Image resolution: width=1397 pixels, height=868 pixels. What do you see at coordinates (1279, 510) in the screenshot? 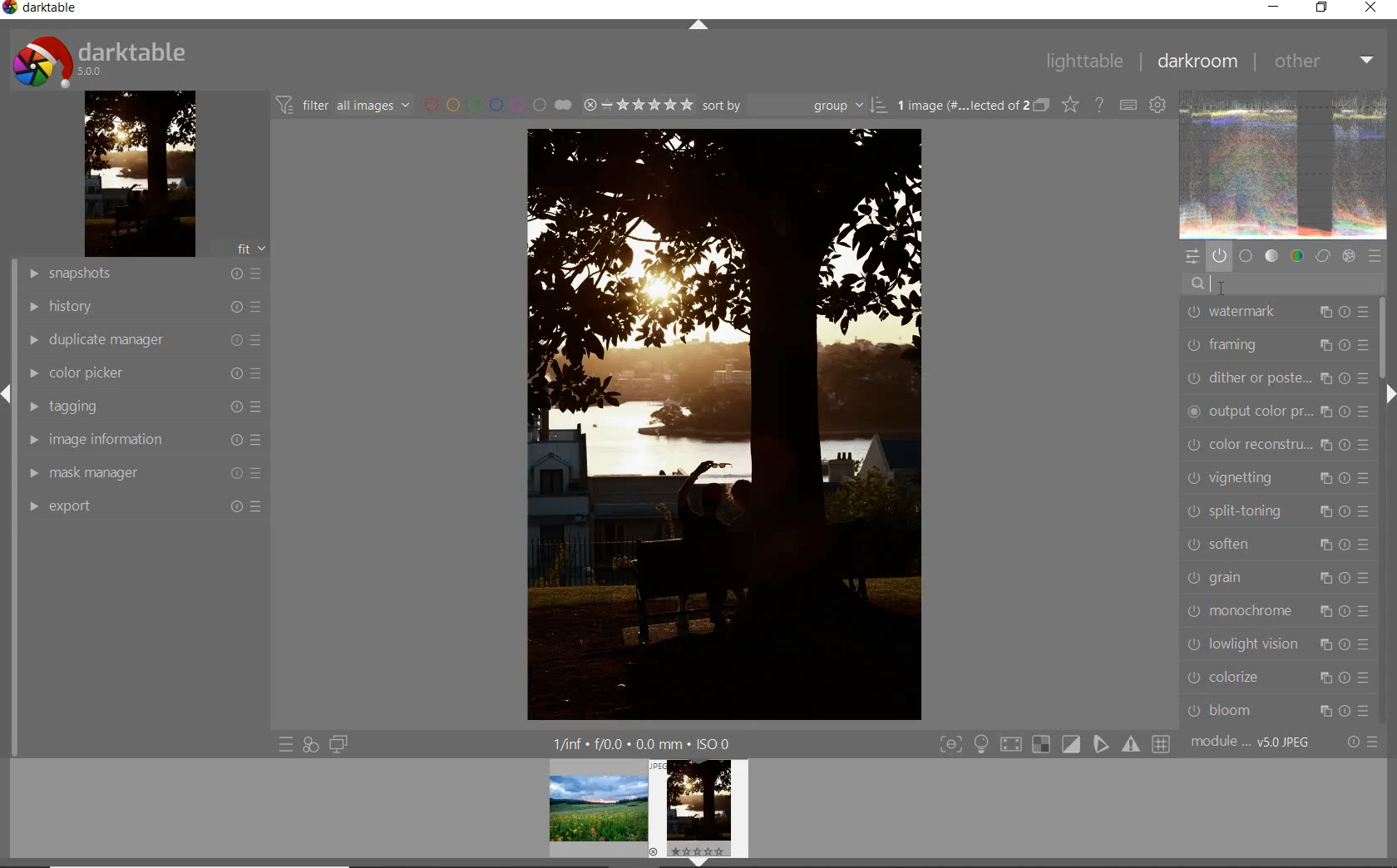
I see `split-toning` at bounding box center [1279, 510].